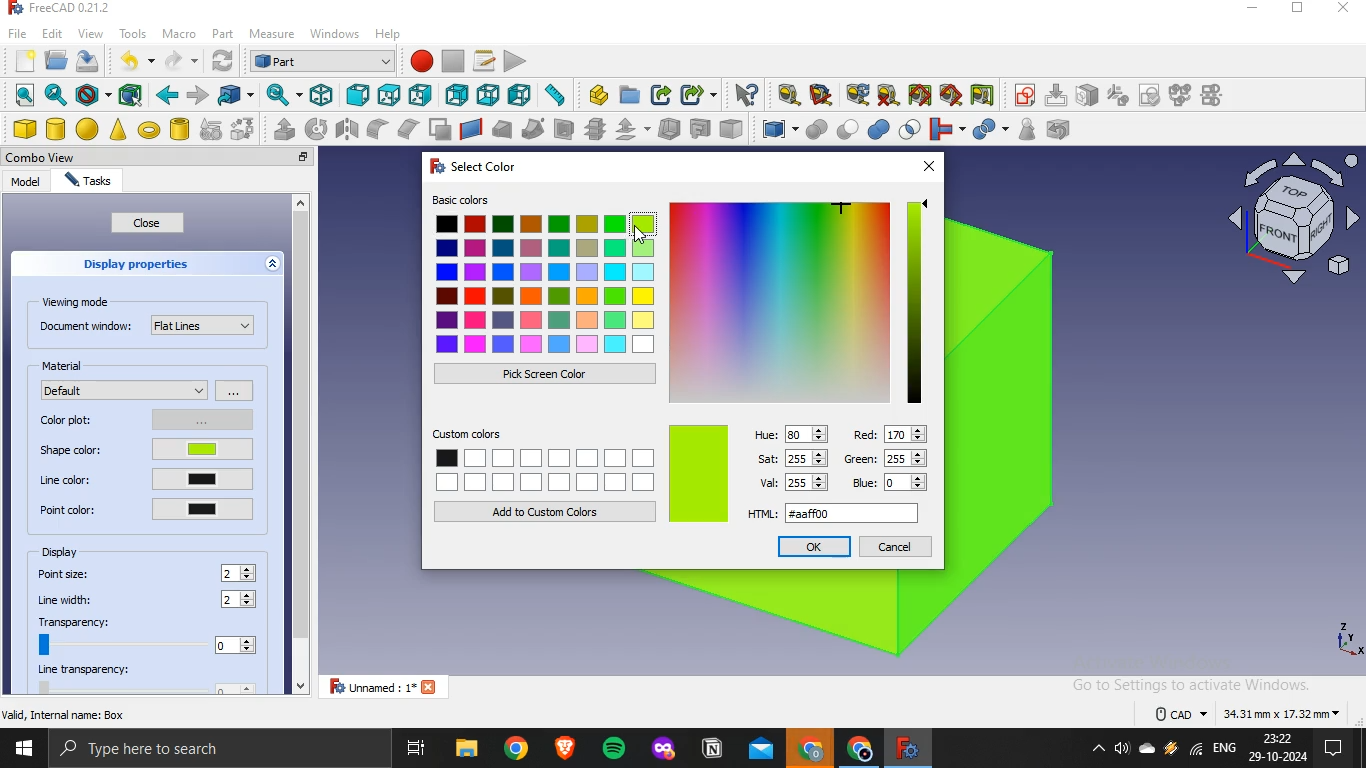 The image size is (1366, 768). I want to click on check geometry, so click(1026, 129).